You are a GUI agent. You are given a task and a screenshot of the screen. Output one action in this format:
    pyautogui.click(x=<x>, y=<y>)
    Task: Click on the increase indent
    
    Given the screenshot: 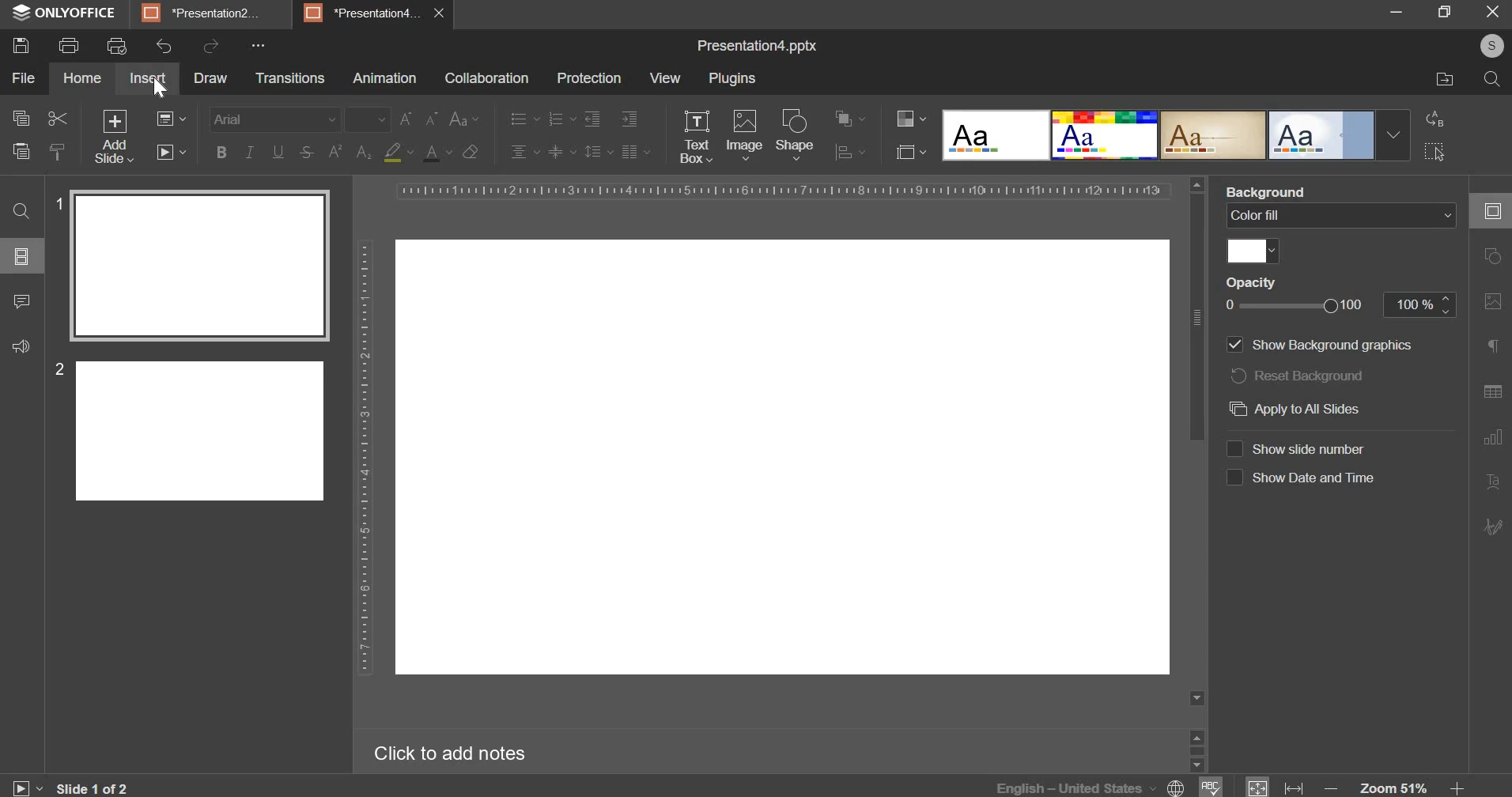 What is the action you would take?
    pyautogui.click(x=629, y=119)
    